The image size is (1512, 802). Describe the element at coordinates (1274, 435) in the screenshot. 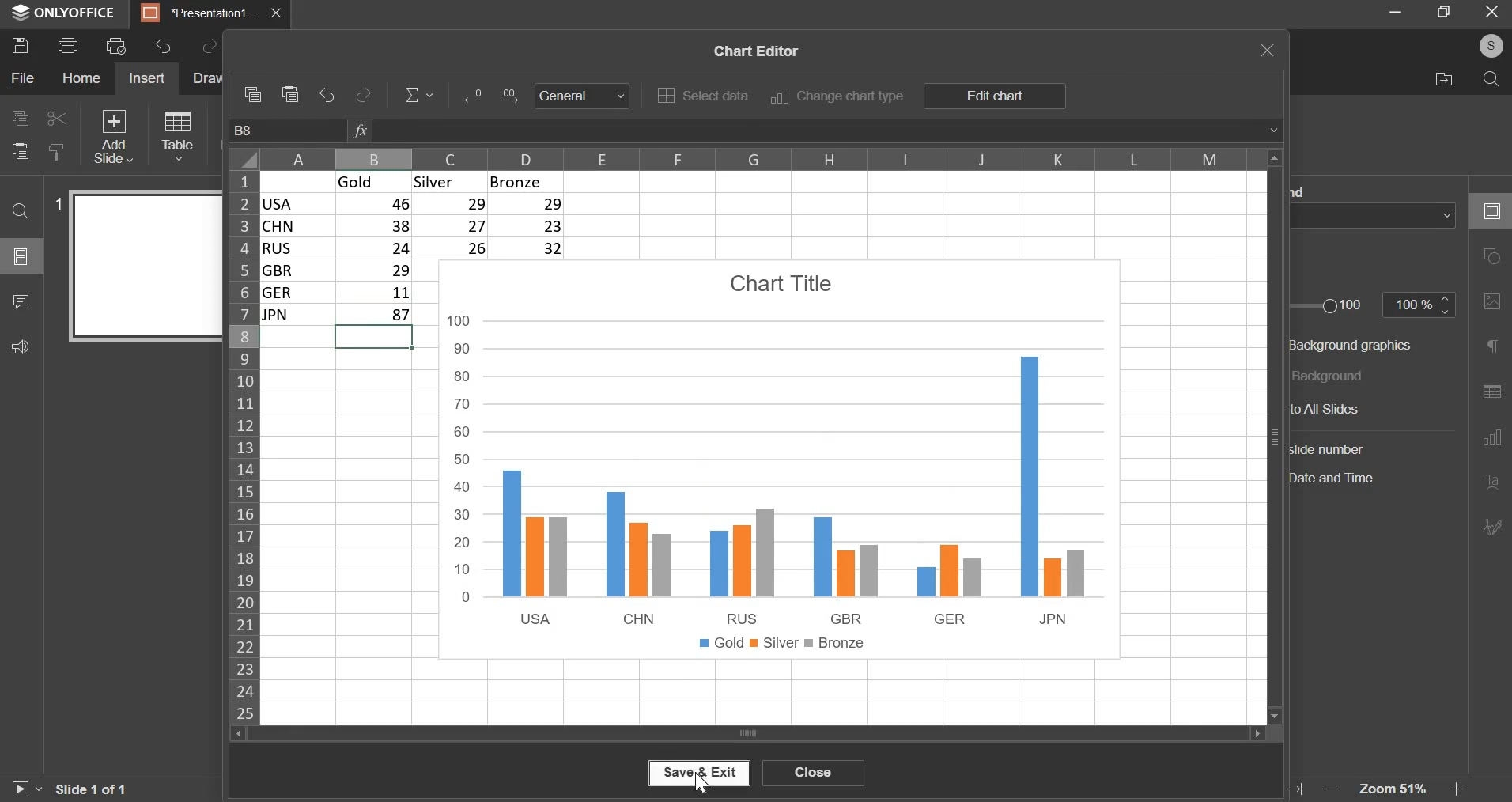

I see `vertical slider` at that location.